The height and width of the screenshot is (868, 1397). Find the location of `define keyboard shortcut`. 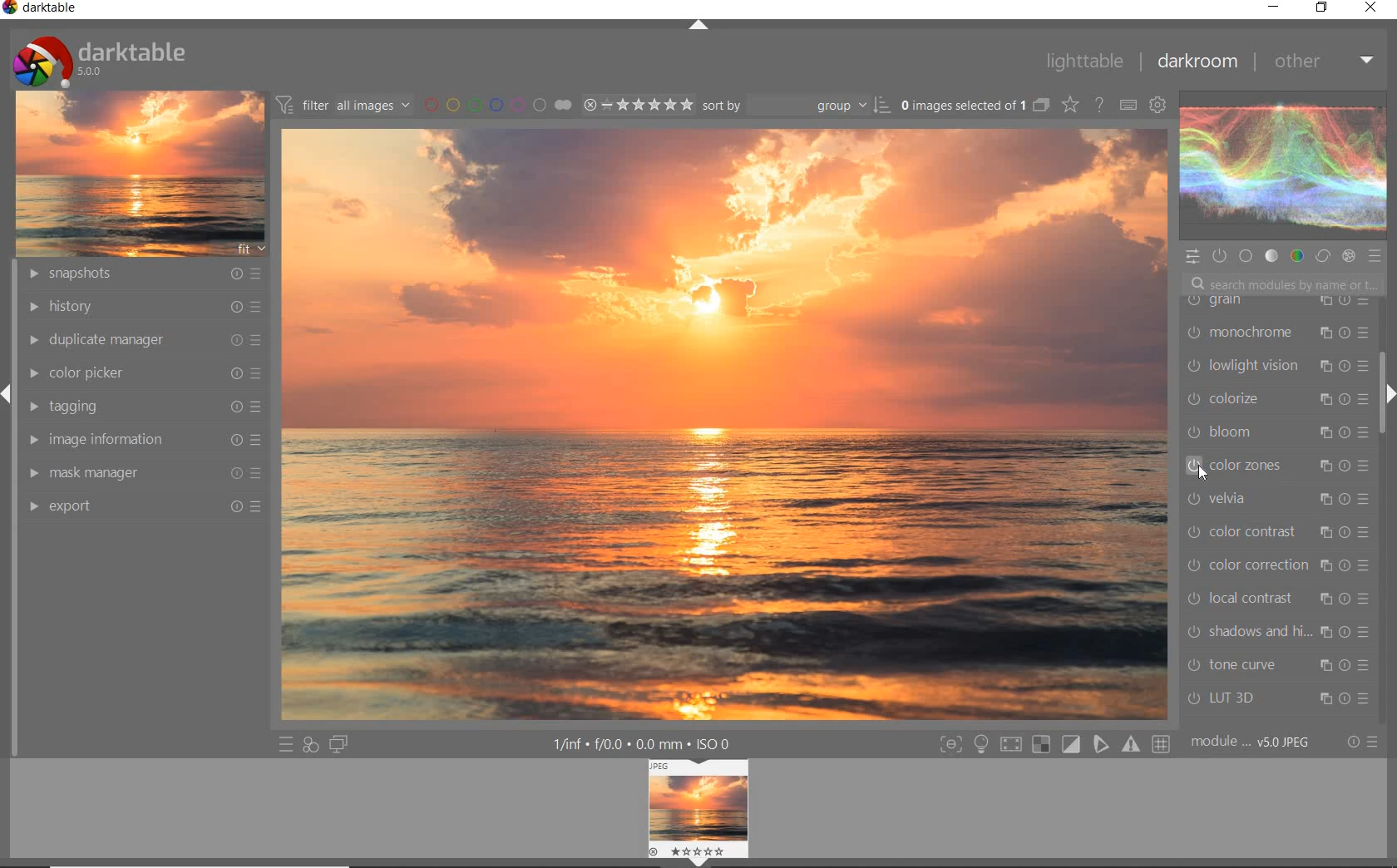

define keyboard shortcut is located at coordinates (1127, 104).